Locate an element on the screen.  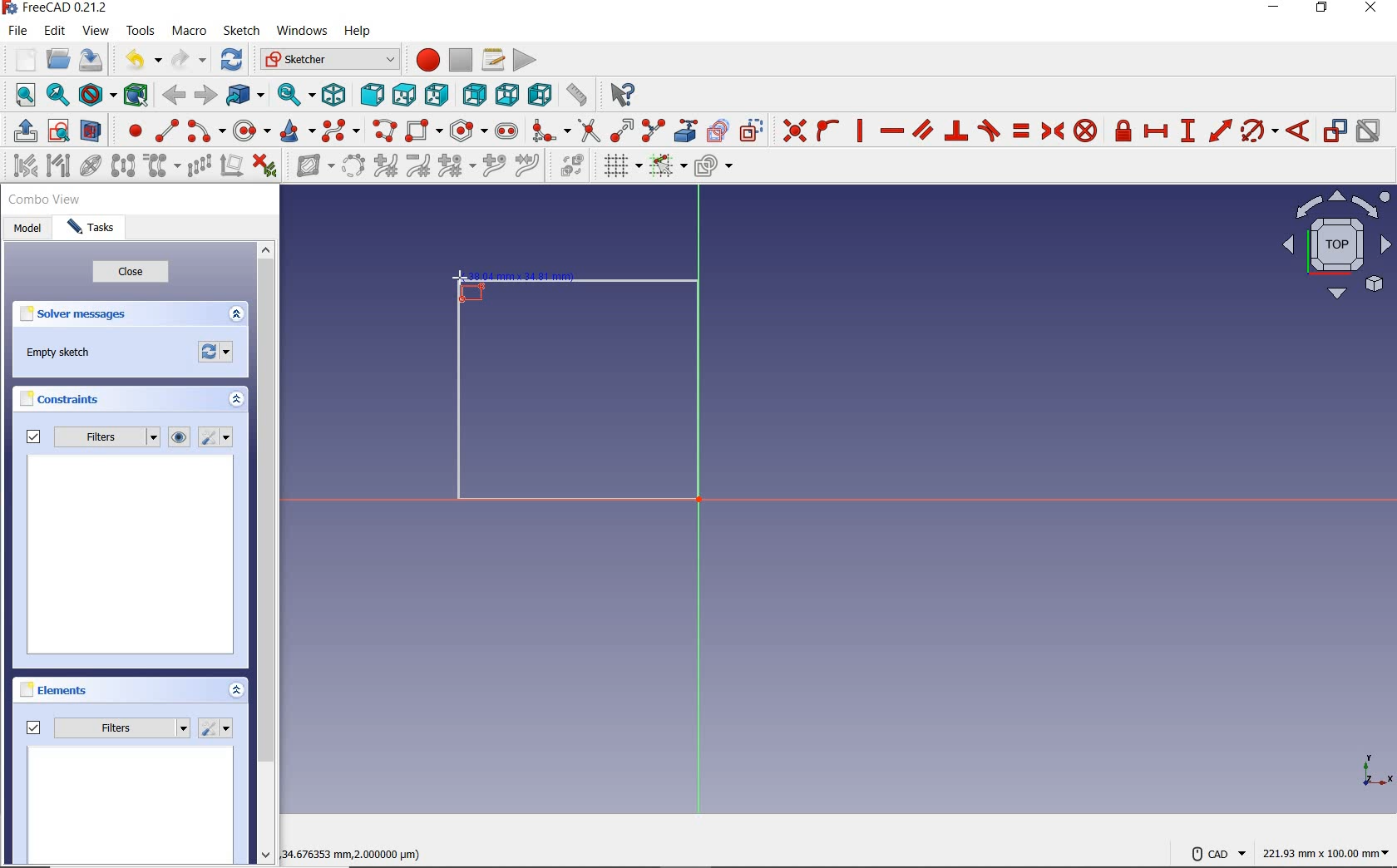
scrollbar is located at coordinates (268, 555).